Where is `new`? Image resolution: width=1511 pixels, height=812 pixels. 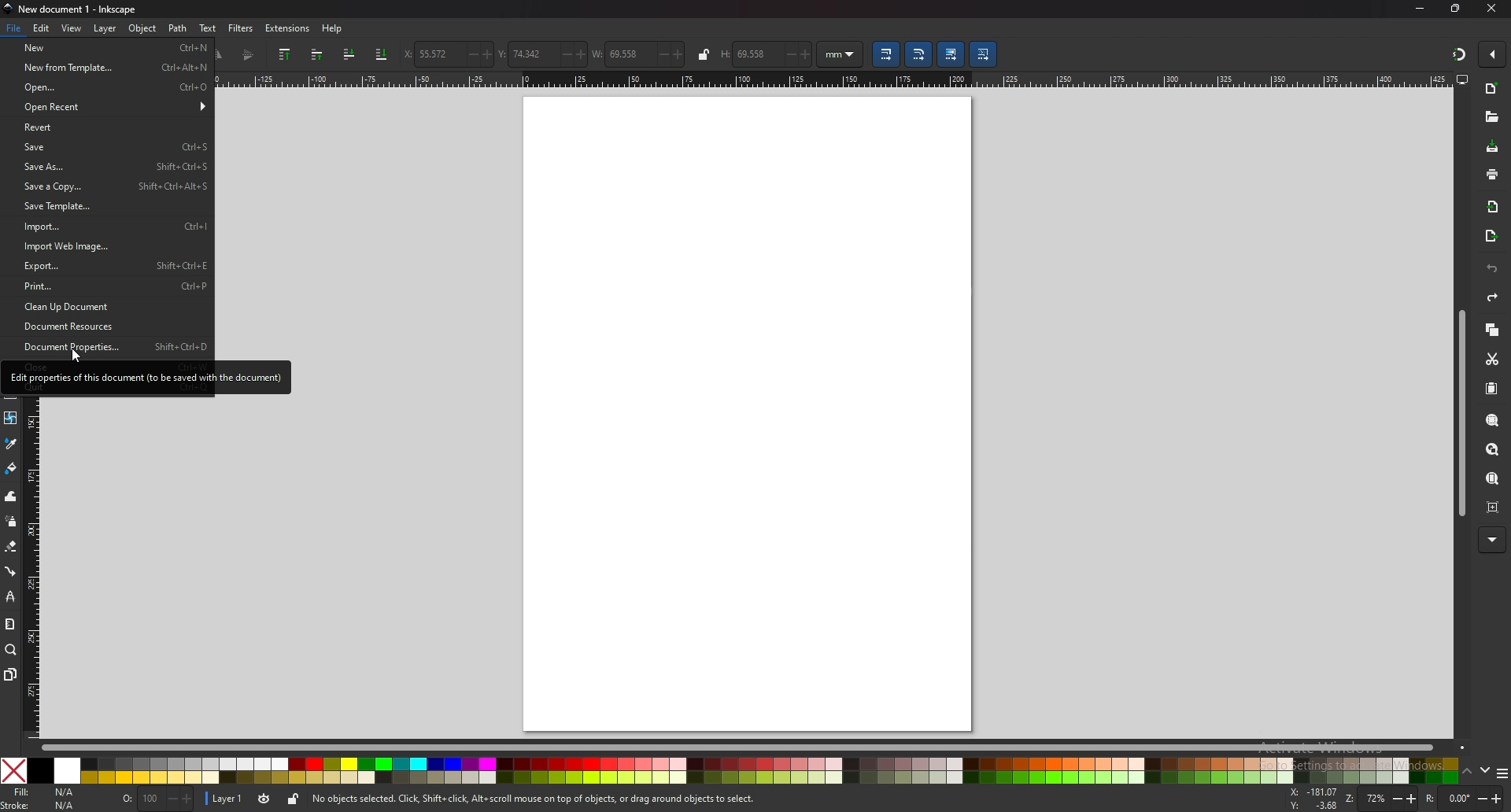
new is located at coordinates (112, 47).